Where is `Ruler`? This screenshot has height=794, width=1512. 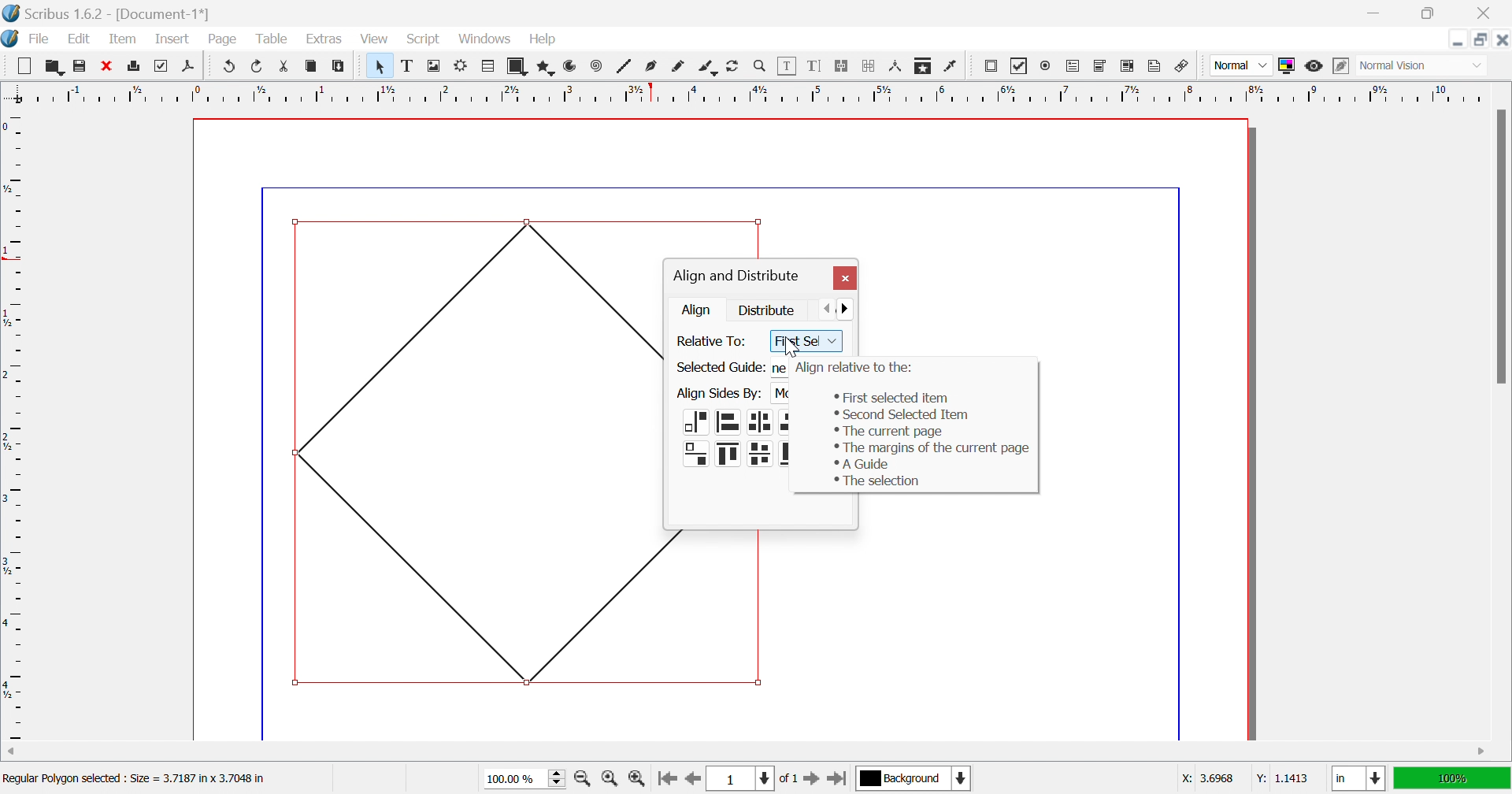 Ruler is located at coordinates (746, 92).